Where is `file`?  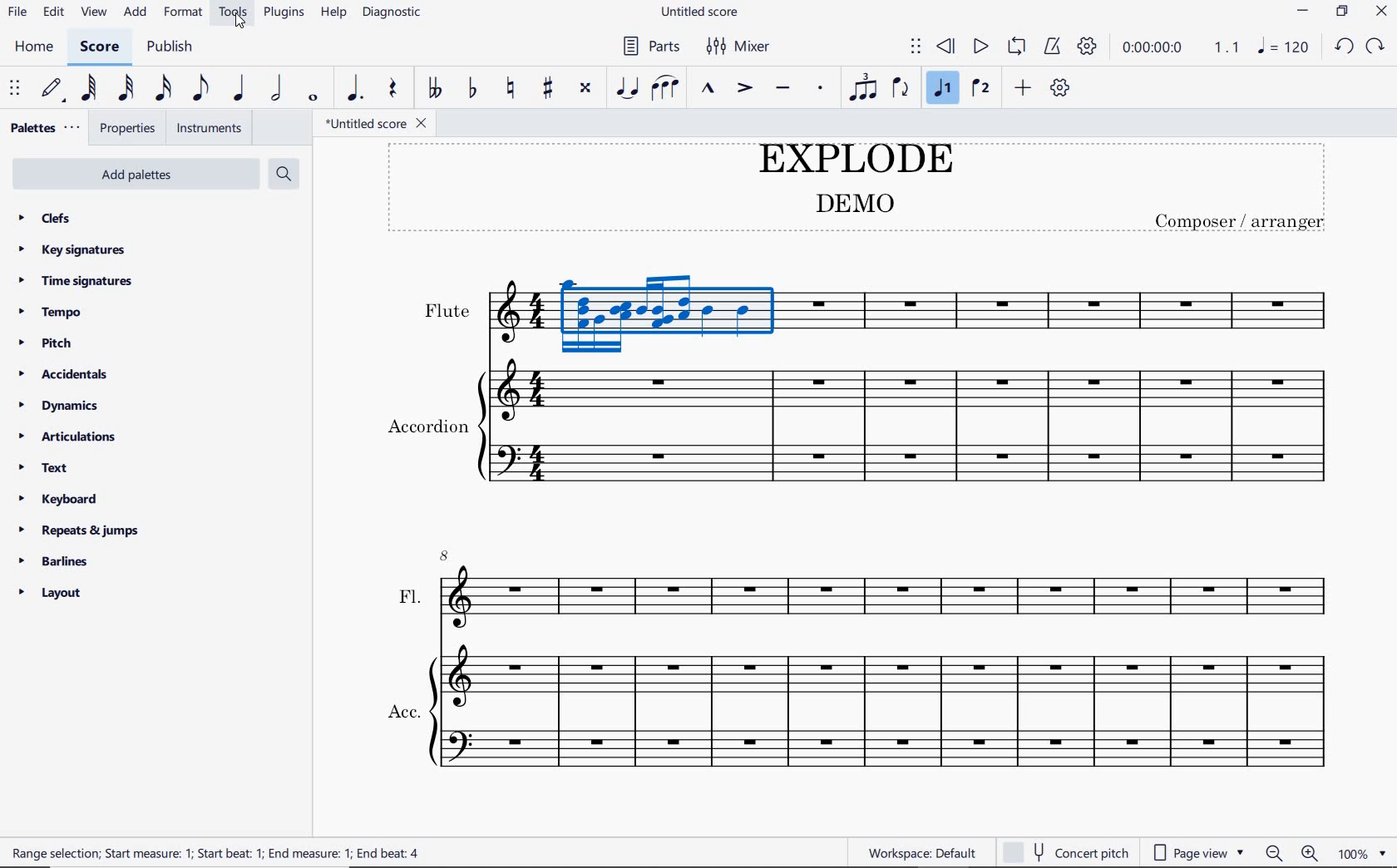 file is located at coordinates (16, 12).